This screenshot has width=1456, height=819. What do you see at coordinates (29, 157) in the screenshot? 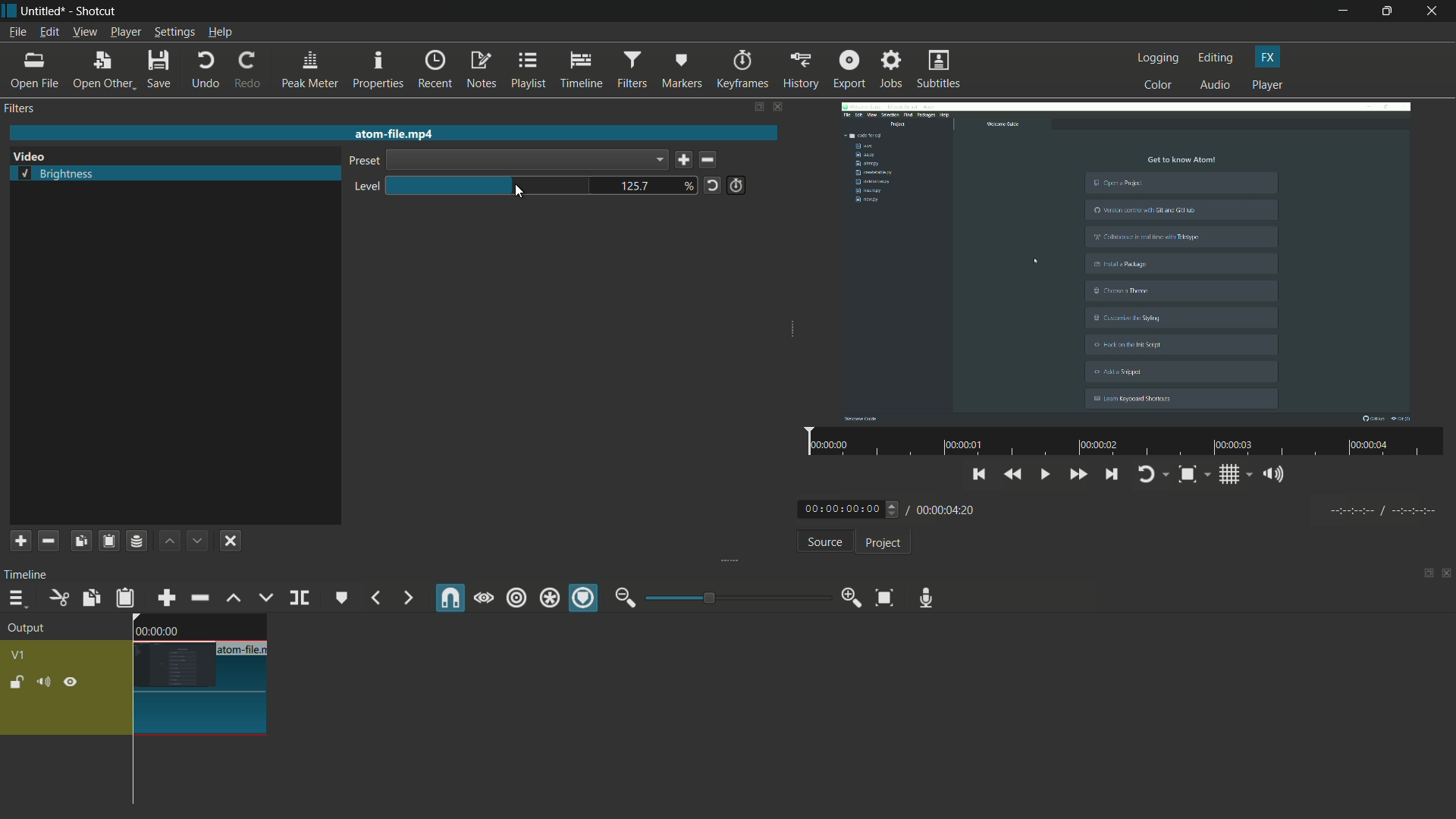
I see `video` at bounding box center [29, 157].